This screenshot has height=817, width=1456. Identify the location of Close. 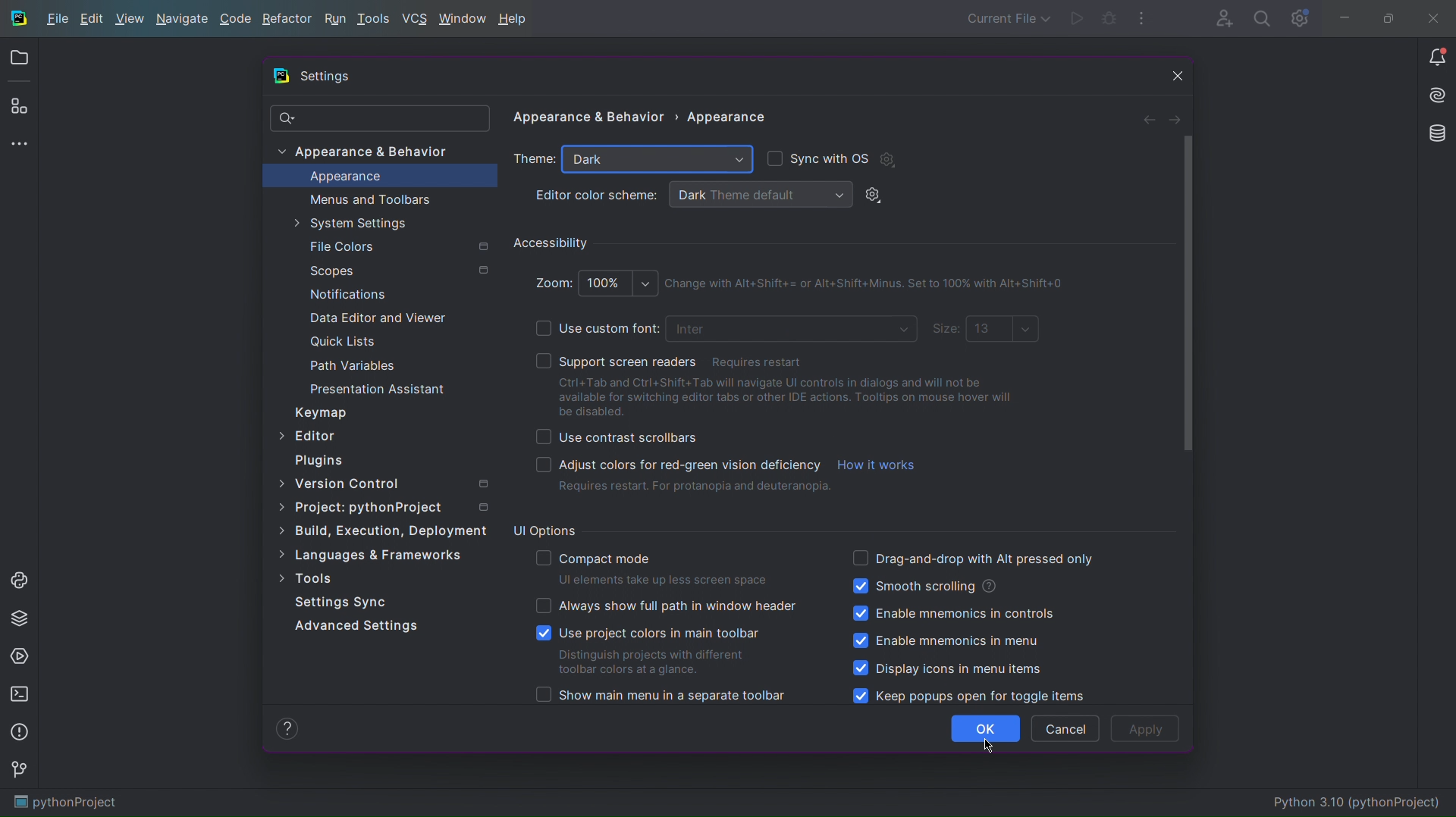
(1437, 17).